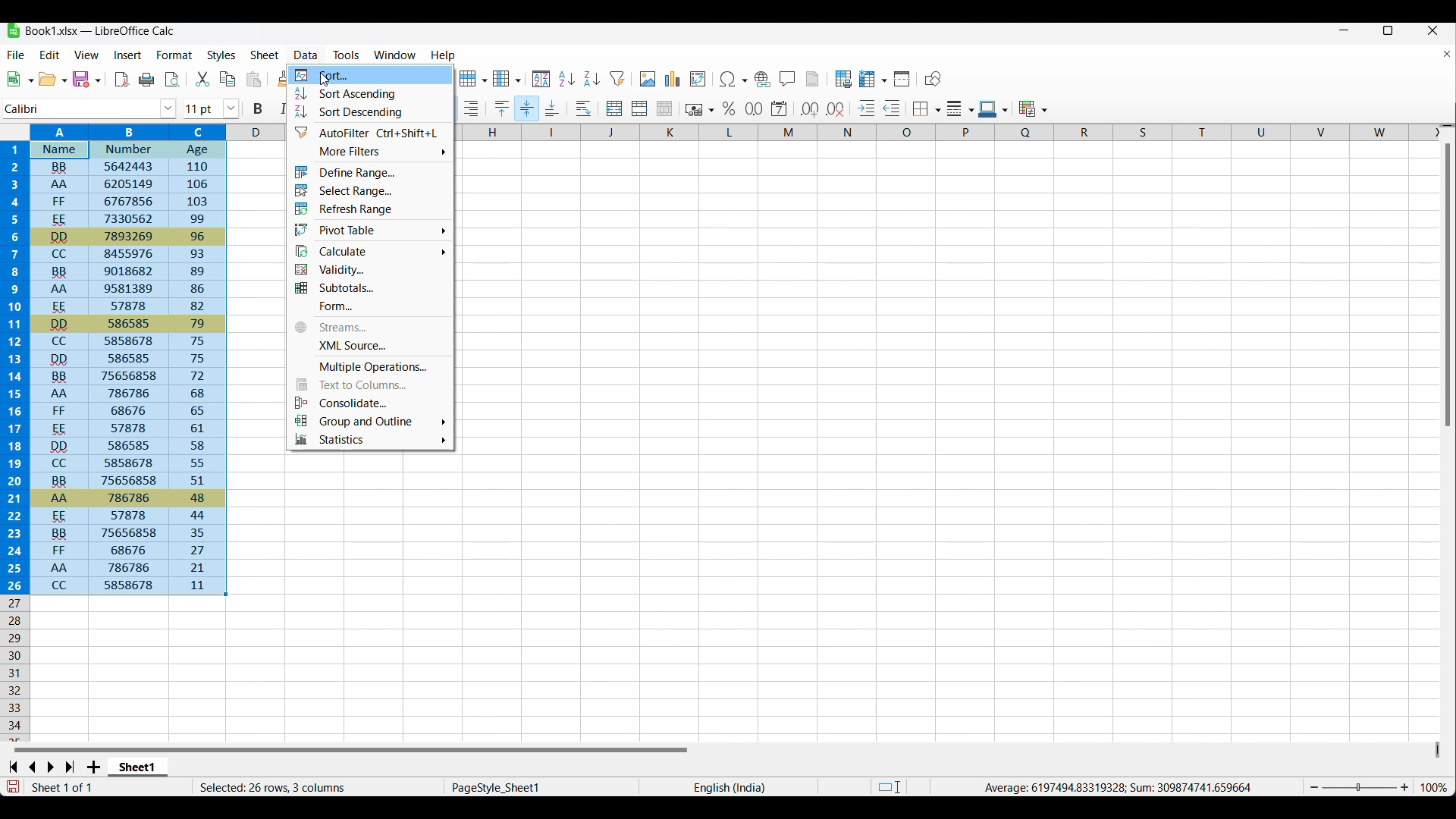 The height and width of the screenshot is (819, 1456). Describe the element at coordinates (507, 78) in the screenshot. I see `Column options` at that location.